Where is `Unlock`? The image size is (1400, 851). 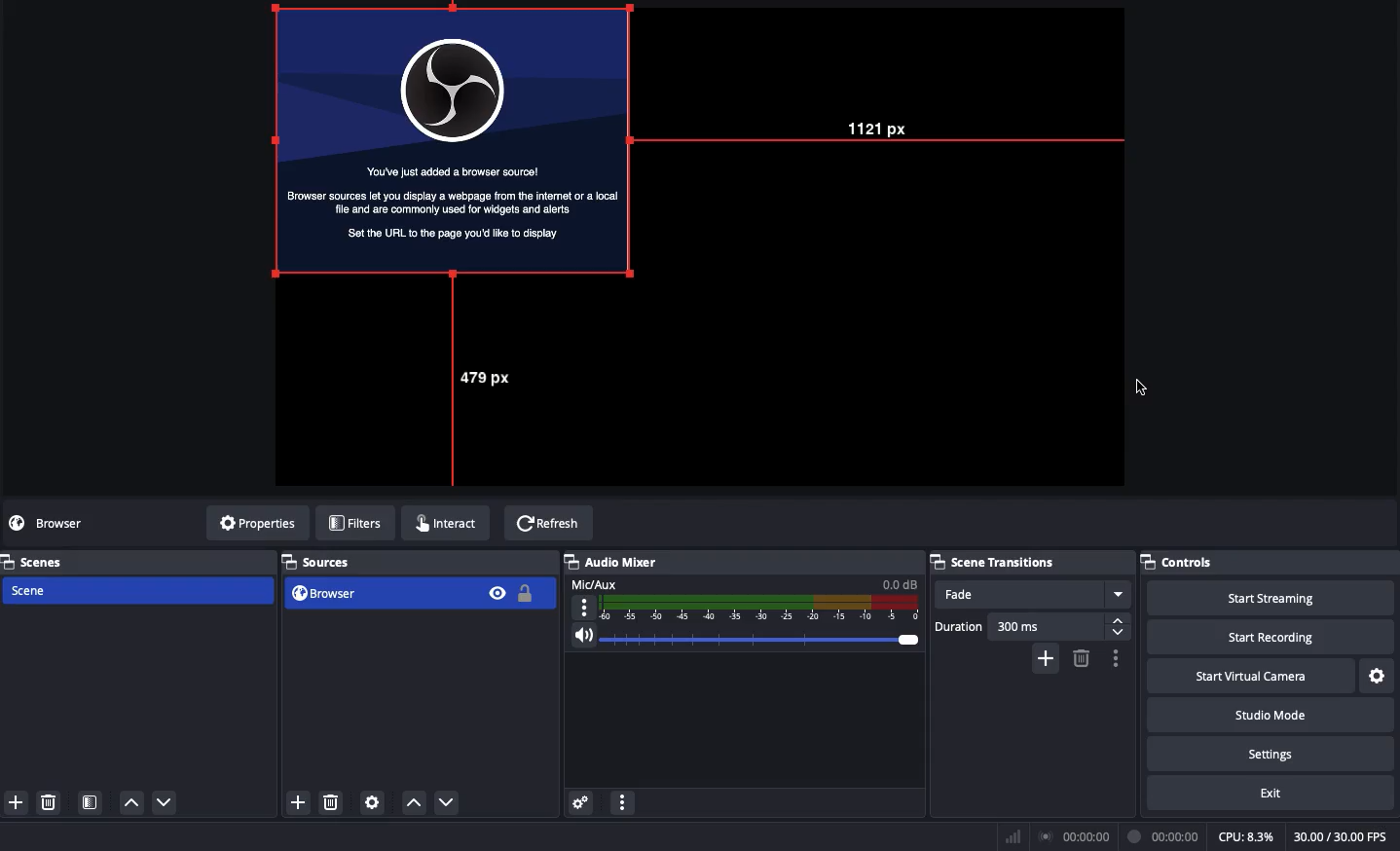 Unlock is located at coordinates (527, 595).